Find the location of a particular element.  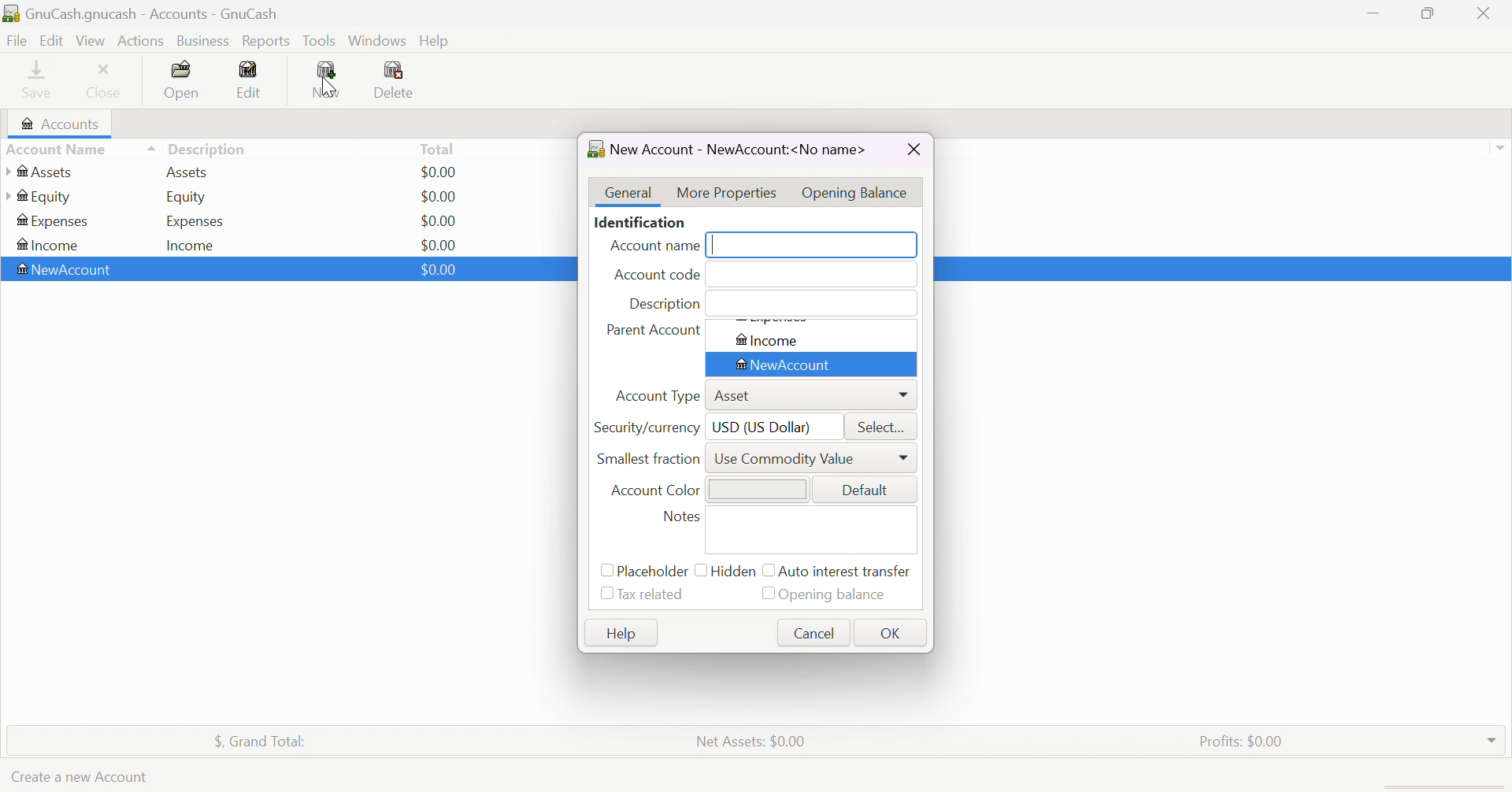

Close is located at coordinates (916, 149).